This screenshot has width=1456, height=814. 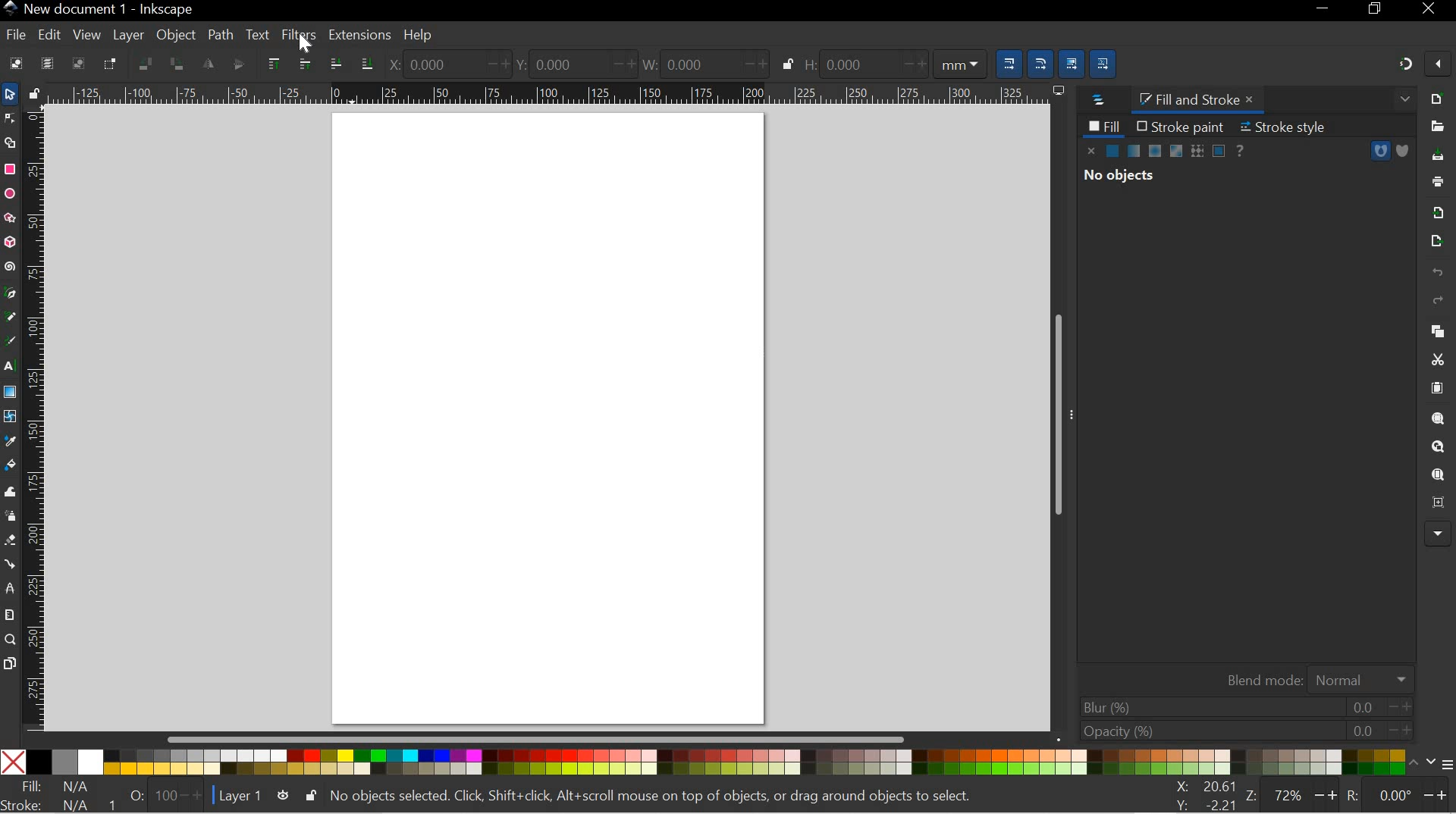 I want to click on ZOOM DRAWING, so click(x=1437, y=447).